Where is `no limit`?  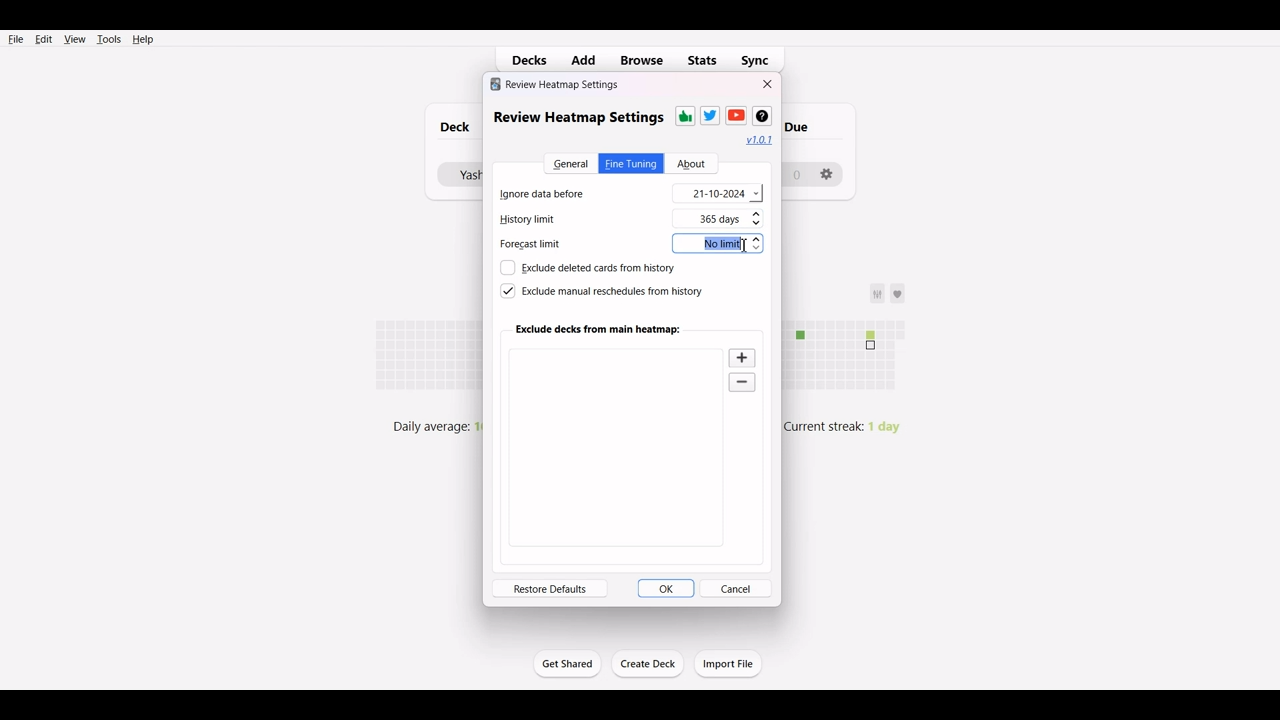
no limit is located at coordinates (721, 245).